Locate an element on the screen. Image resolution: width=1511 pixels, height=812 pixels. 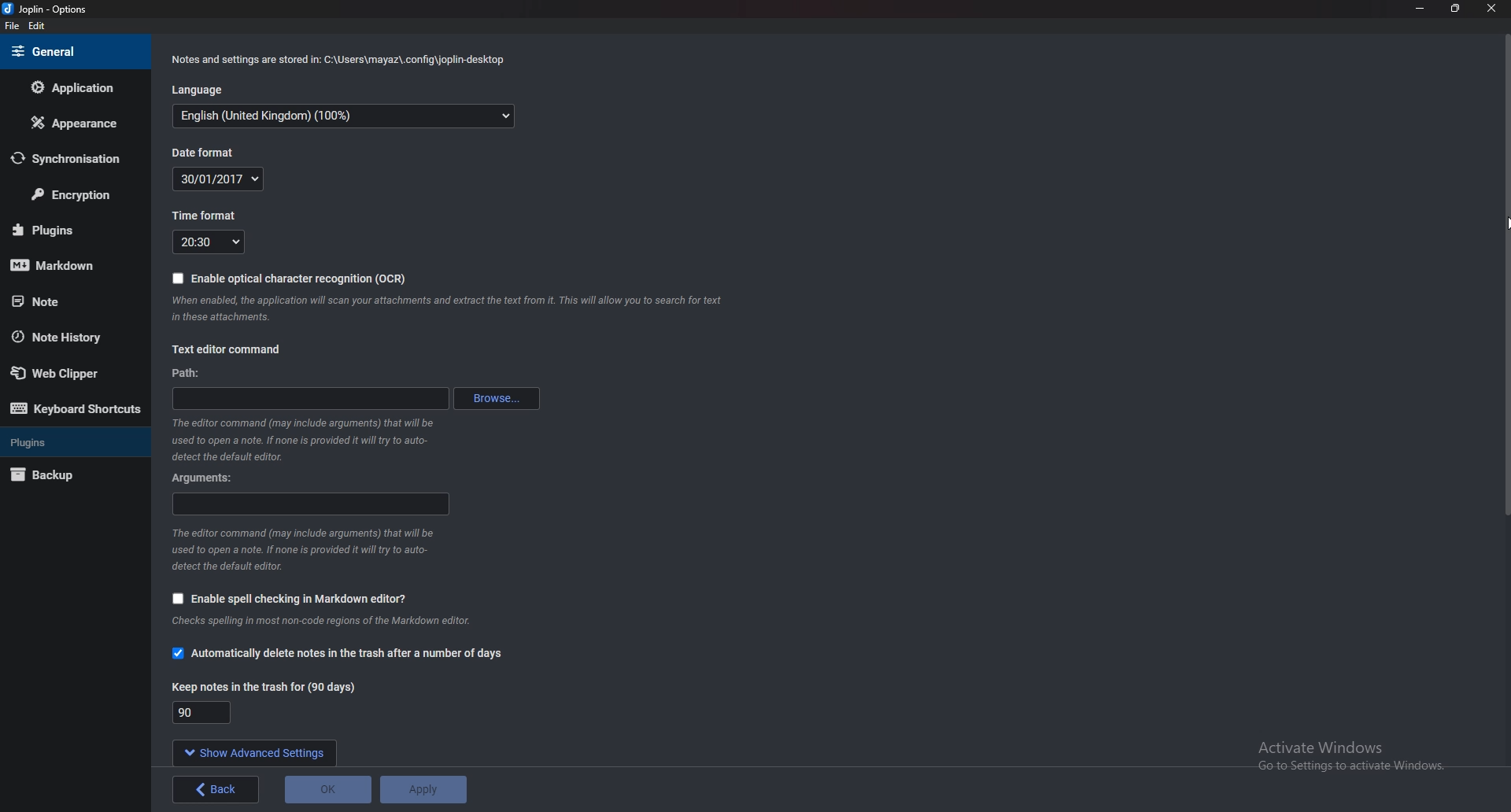
Enable O C R is located at coordinates (292, 280).